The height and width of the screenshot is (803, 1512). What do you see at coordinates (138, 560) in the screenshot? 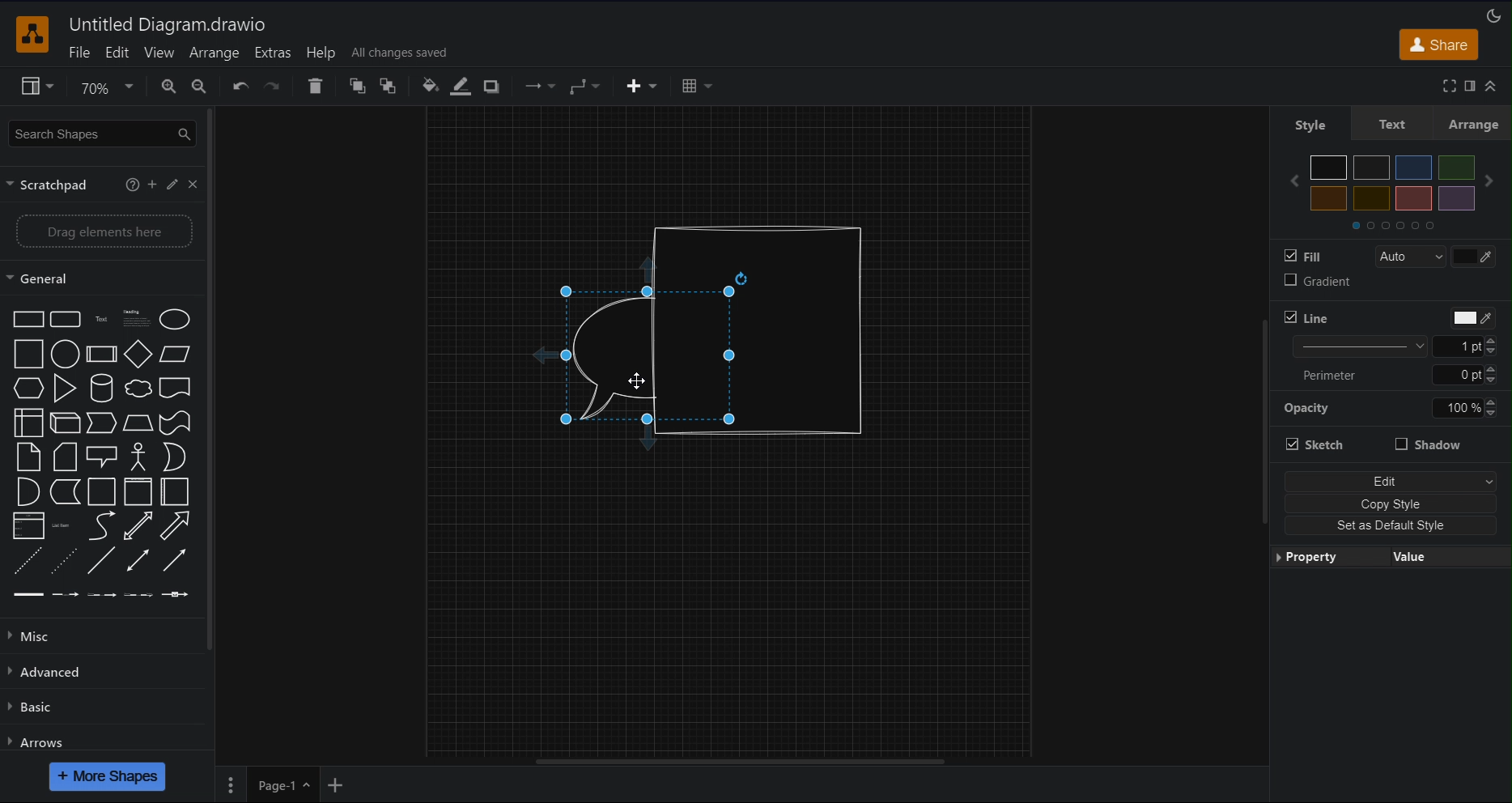
I see `Bidirectional connector` at bounding box center [138, 560].